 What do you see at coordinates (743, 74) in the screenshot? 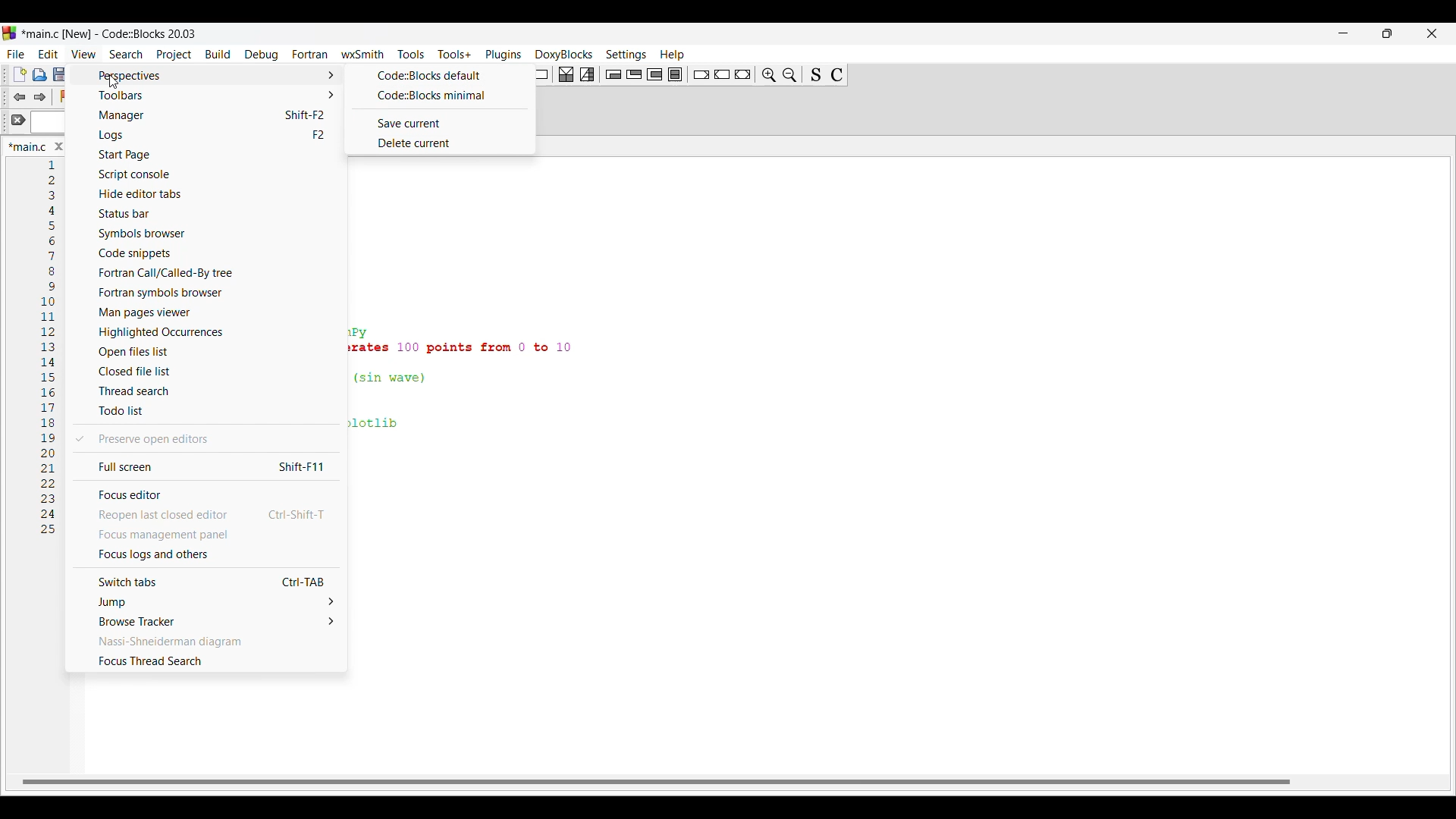
I see `Return instruction` at bounding box center [743, 74].